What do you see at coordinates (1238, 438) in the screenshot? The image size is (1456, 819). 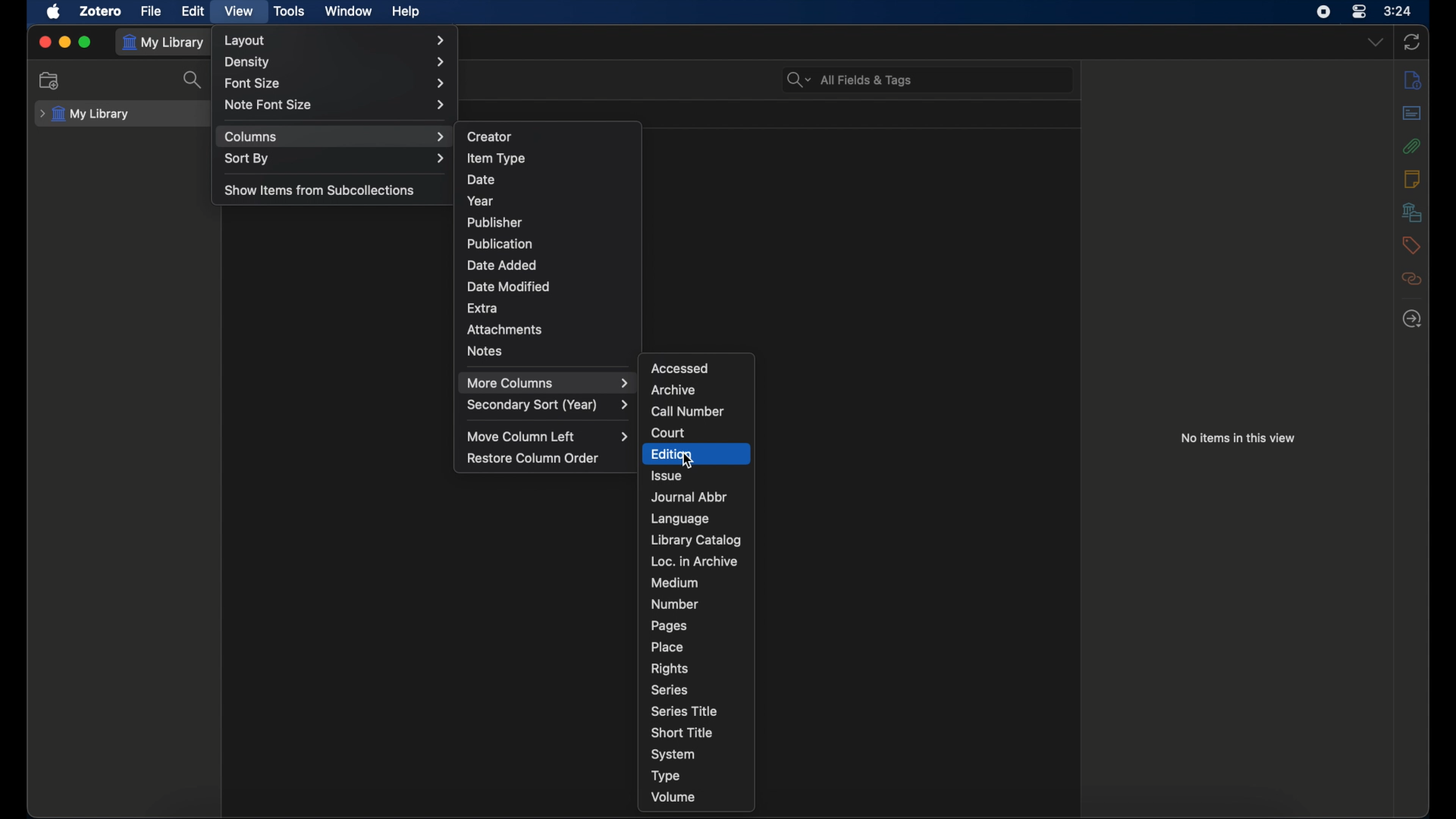 I see `no item in this view` at bounding box center [1238, 438].